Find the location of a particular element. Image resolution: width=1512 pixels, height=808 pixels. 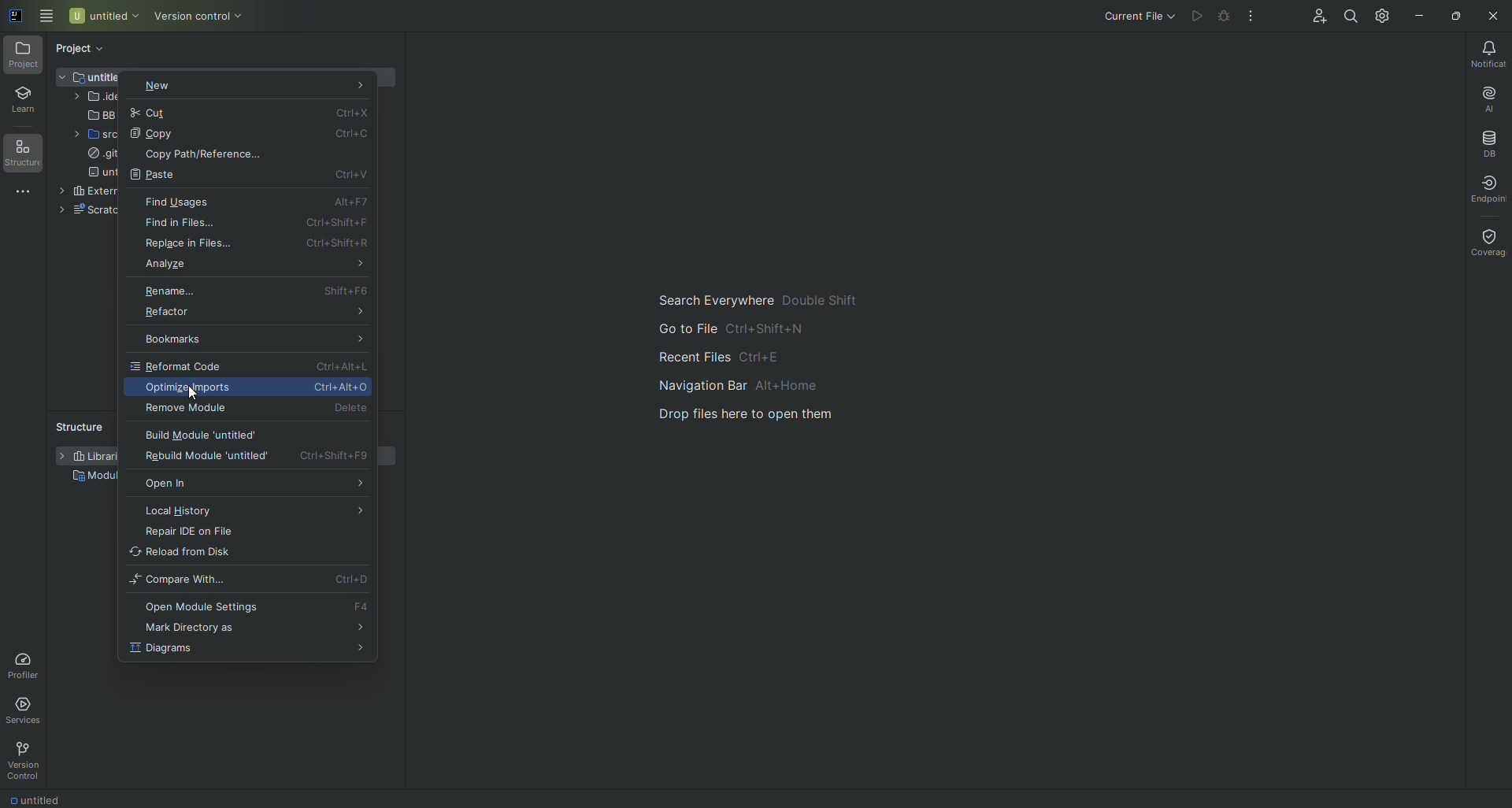

.gitigmore is located at coordinates (98, 155).